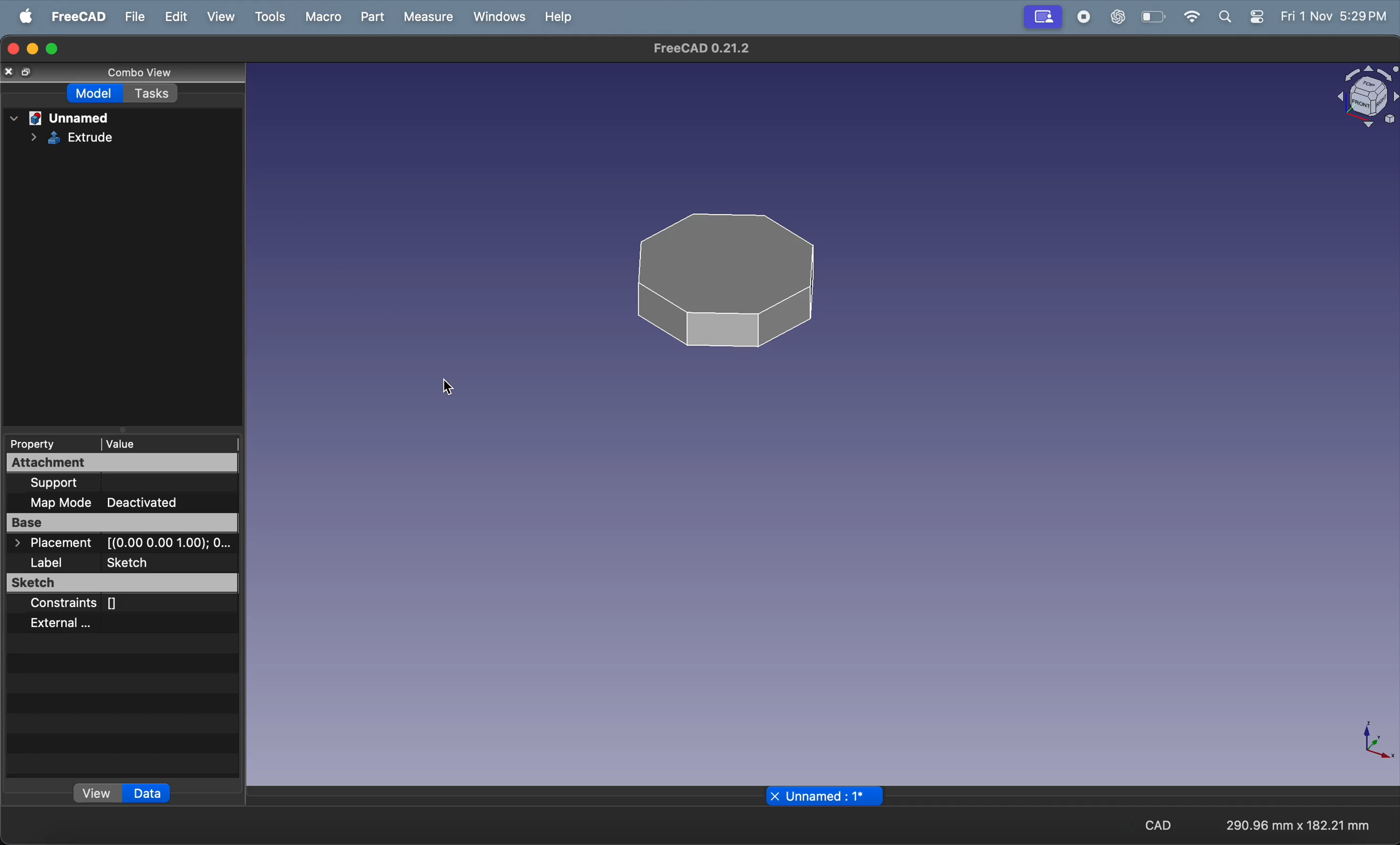 This screenshot has width=1400, height=845. I want to click on sketcg, so click(118, 583).